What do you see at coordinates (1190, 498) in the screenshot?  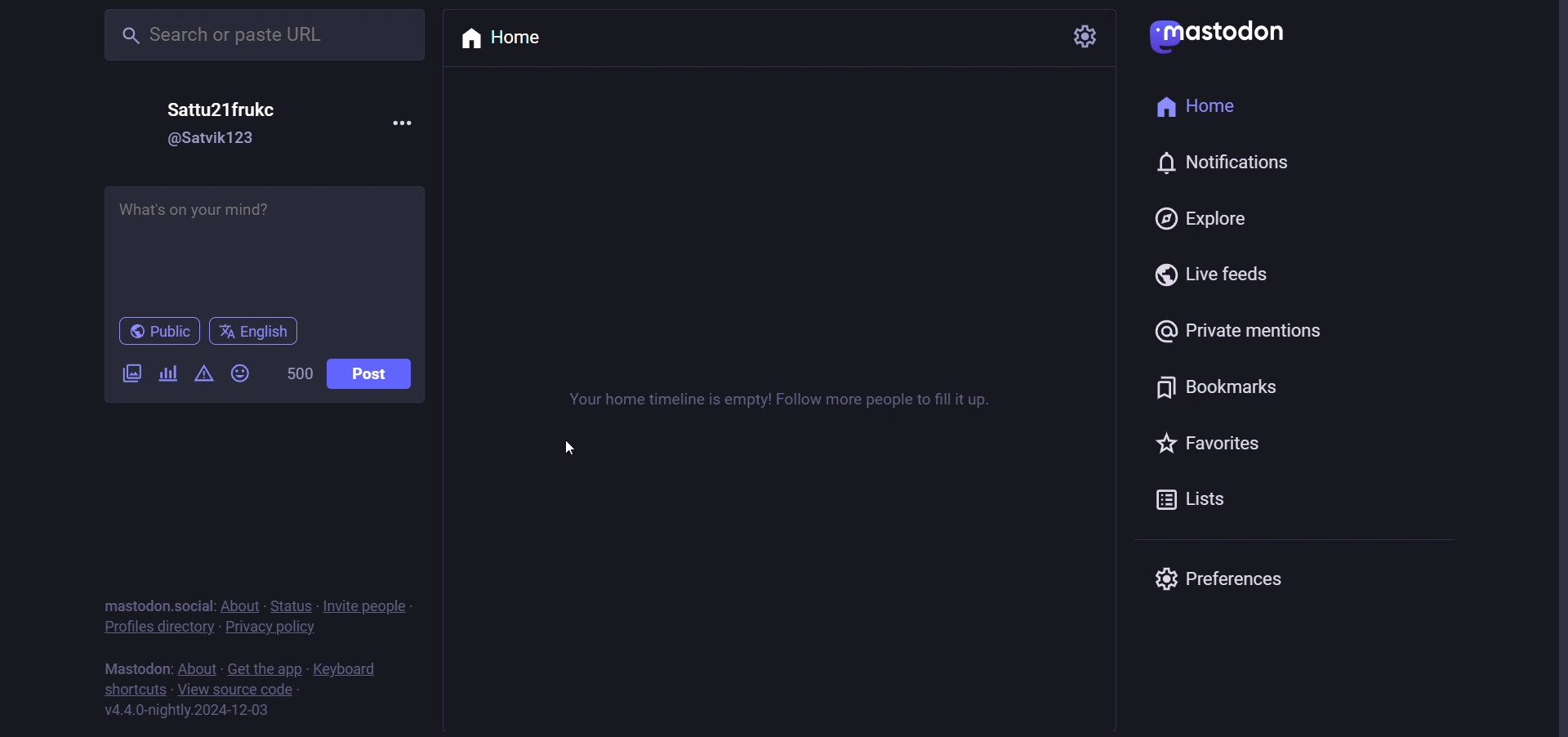 I see `list` at bounding box center [1190, 498].